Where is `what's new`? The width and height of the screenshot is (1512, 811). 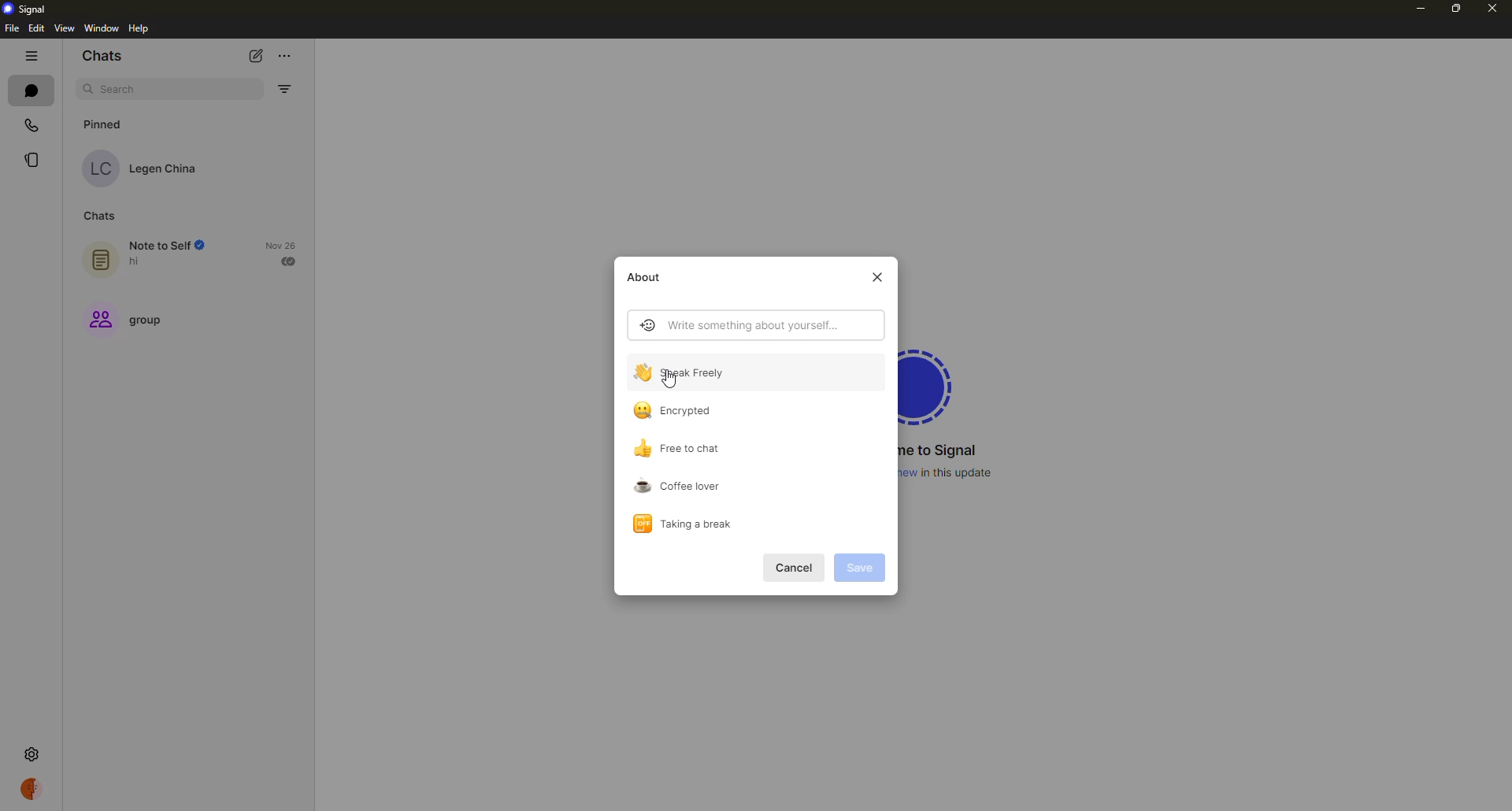
what's new is located at coordinates (951, 472).